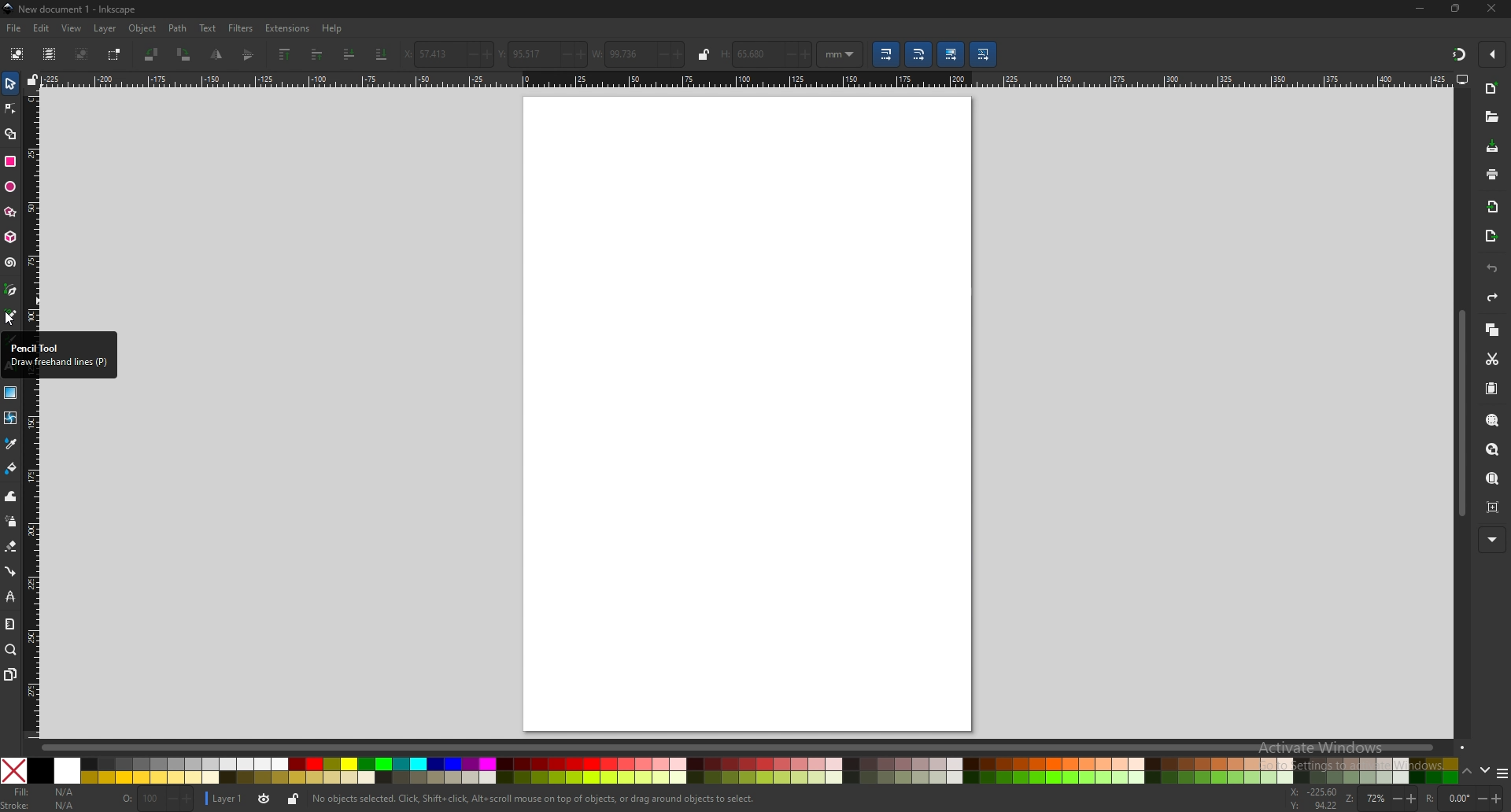  What do you see at coordinates (541, 54) in the screenshot?
I see `y coordinates` at bounding box center [541, 54].